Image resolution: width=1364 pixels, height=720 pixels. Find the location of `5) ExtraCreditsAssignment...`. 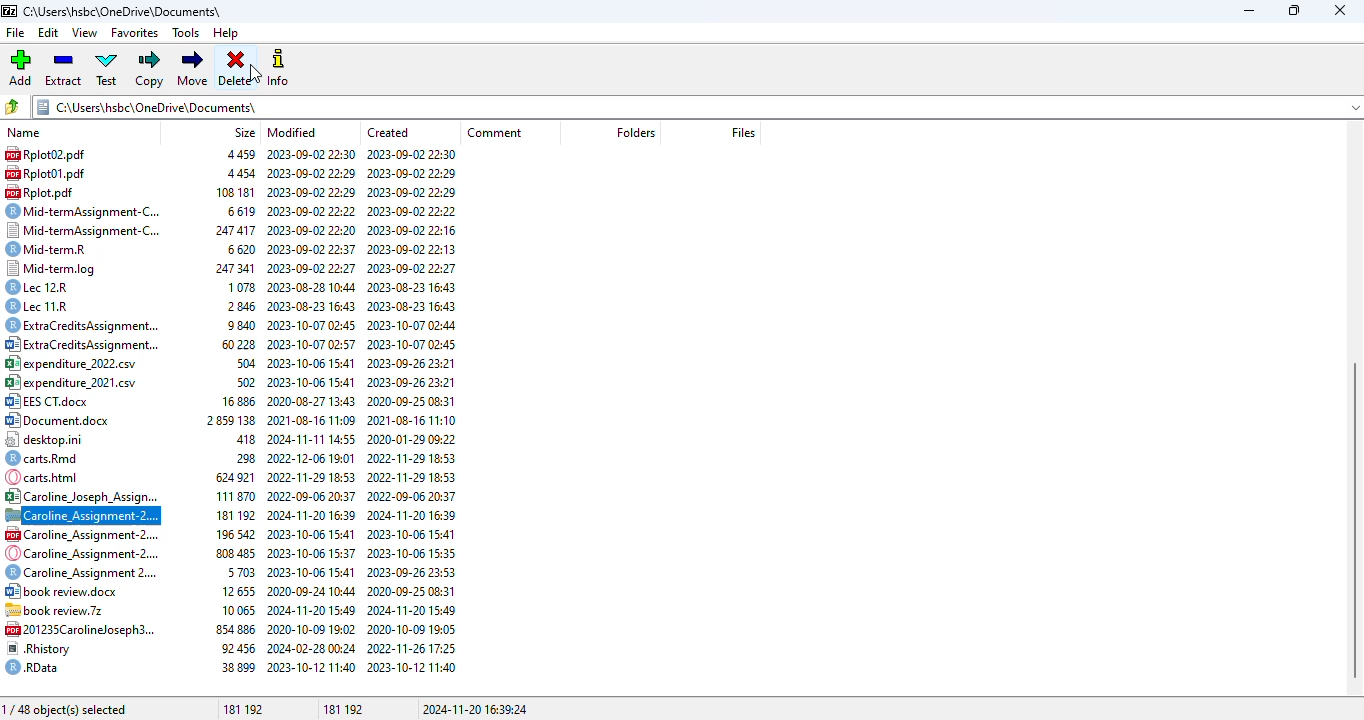

5) ExtraCreditsAssignment... is located at coordinates (80, 344).